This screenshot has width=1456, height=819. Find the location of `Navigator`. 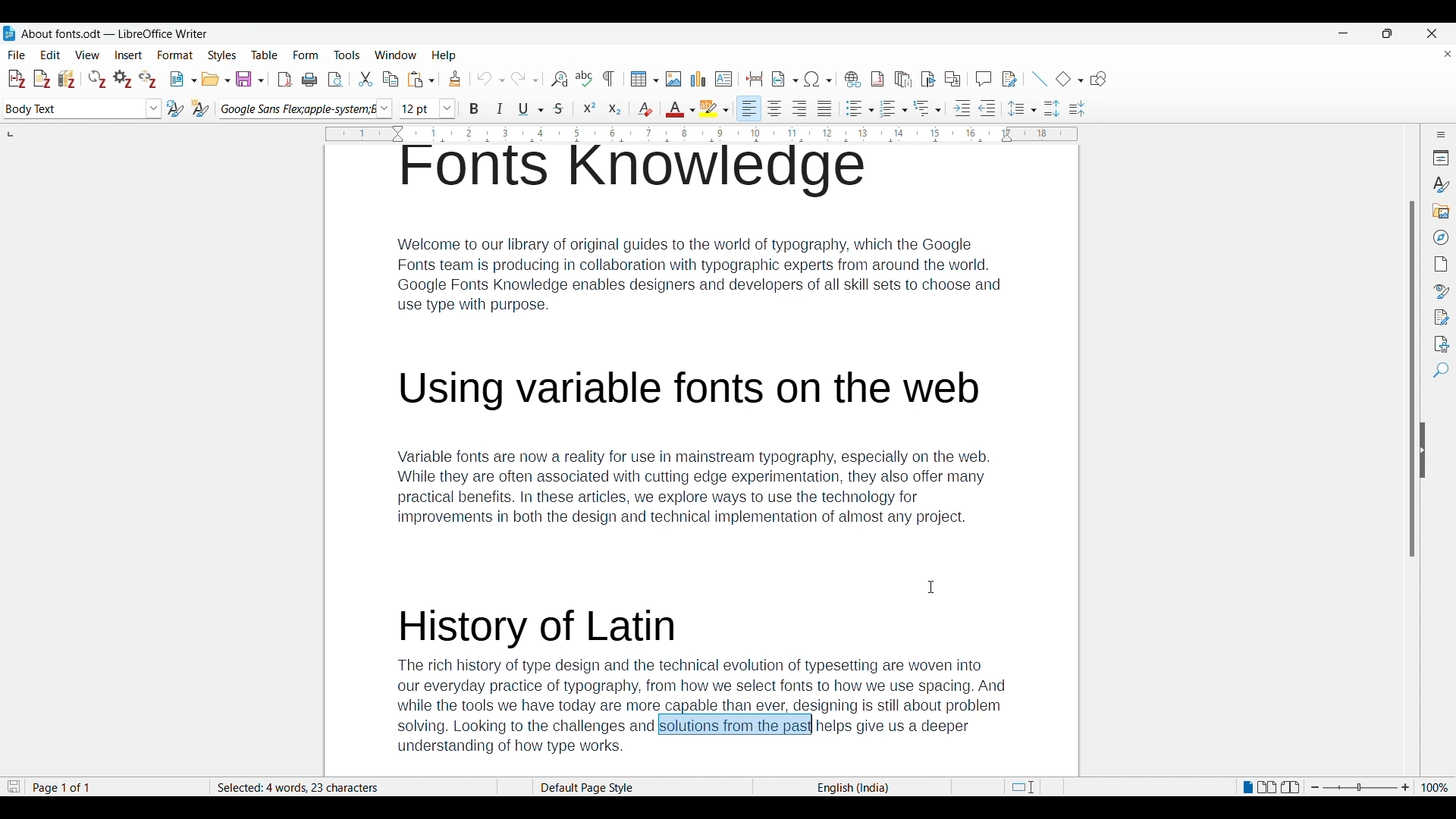

Navigator is located at coordinates (1440, 237).